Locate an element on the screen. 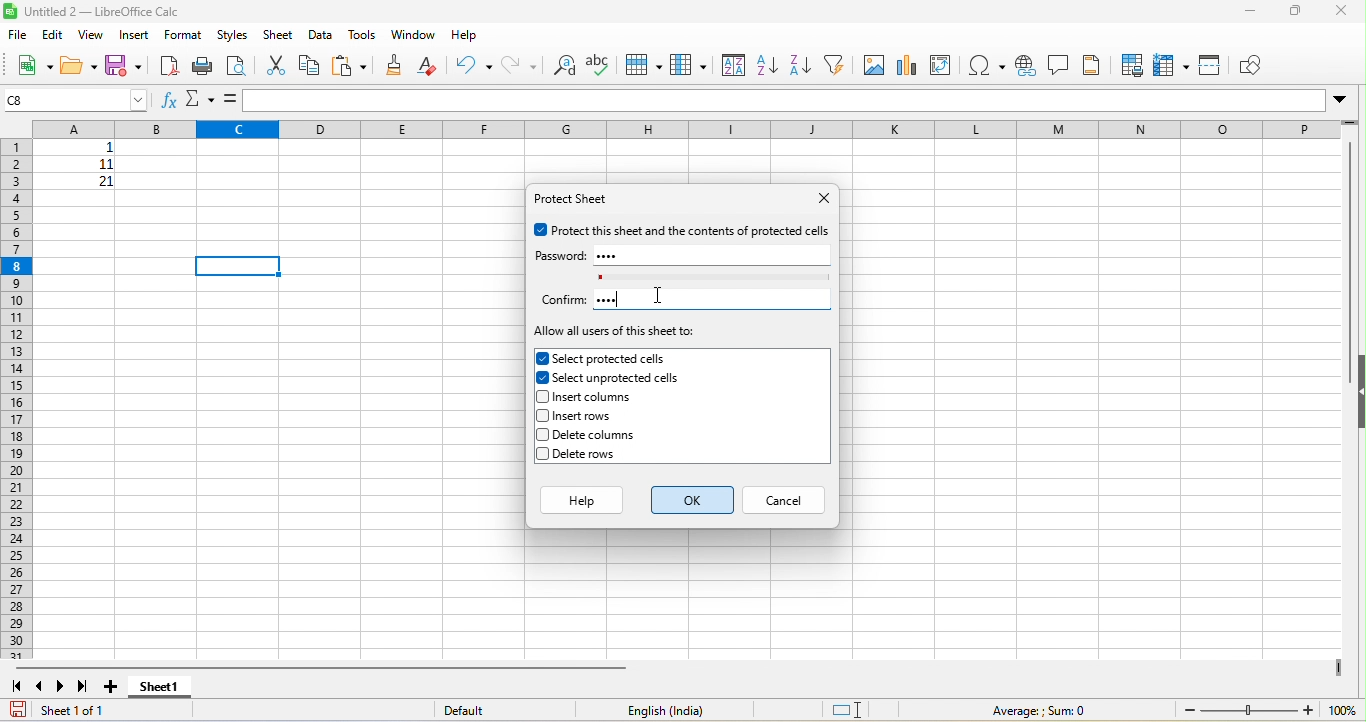 This screenshot has width=1366, height=722. function wizard is located at coordinates (169, 102).